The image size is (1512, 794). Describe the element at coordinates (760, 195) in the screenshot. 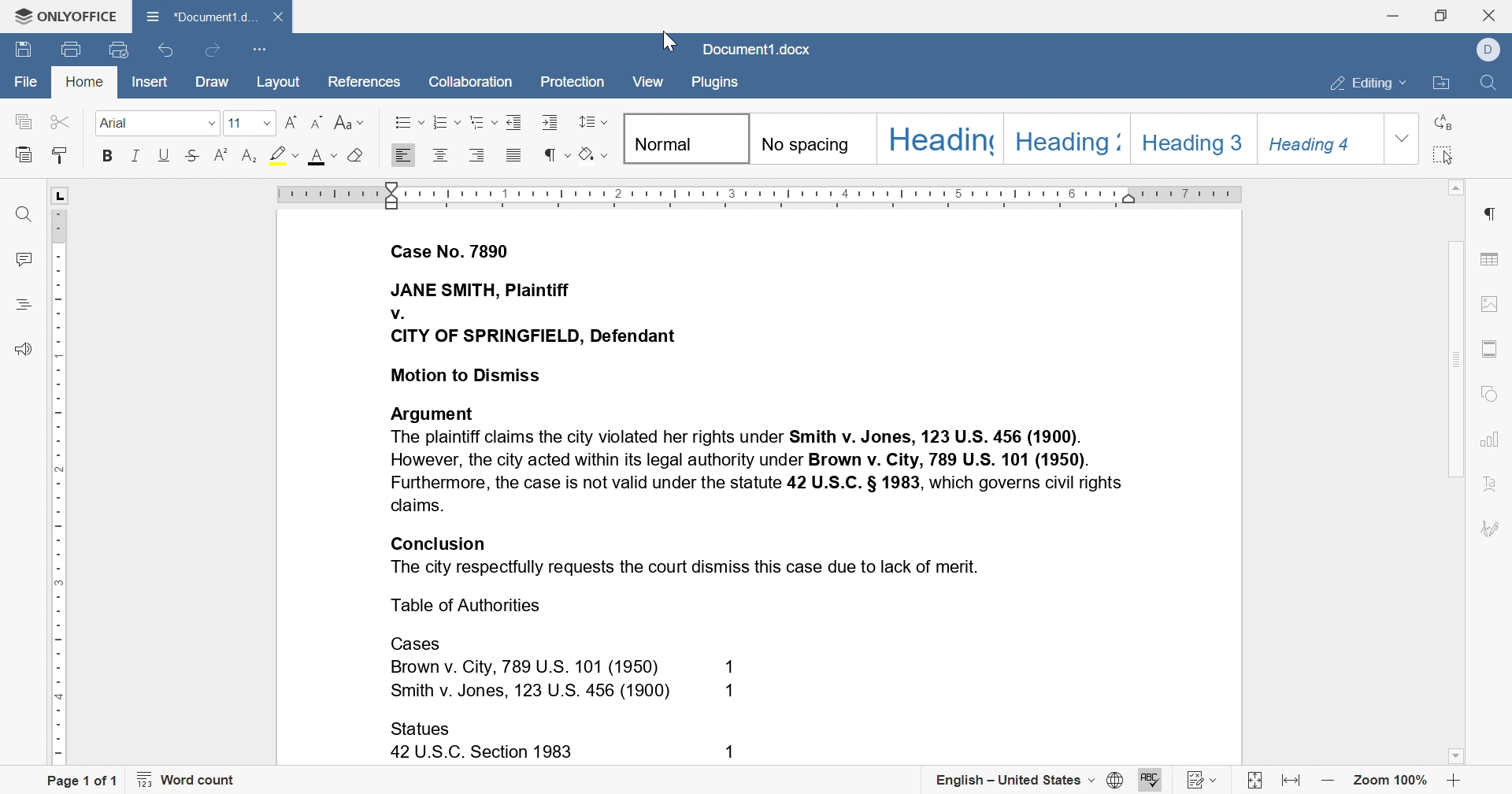

I see `ruler` at that location.